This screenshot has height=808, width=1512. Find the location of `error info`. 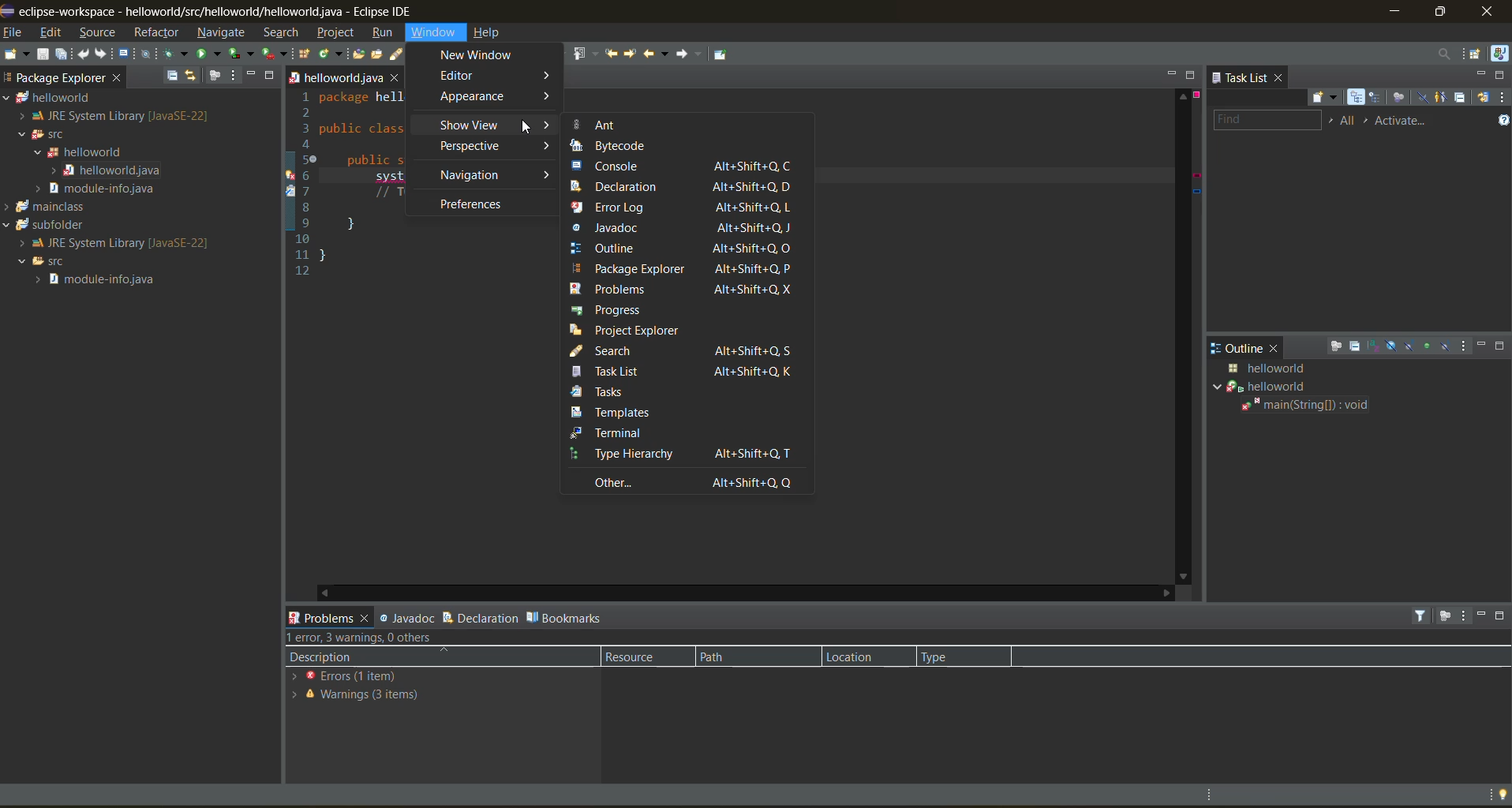

error info is located at coordinates (1195, 151).